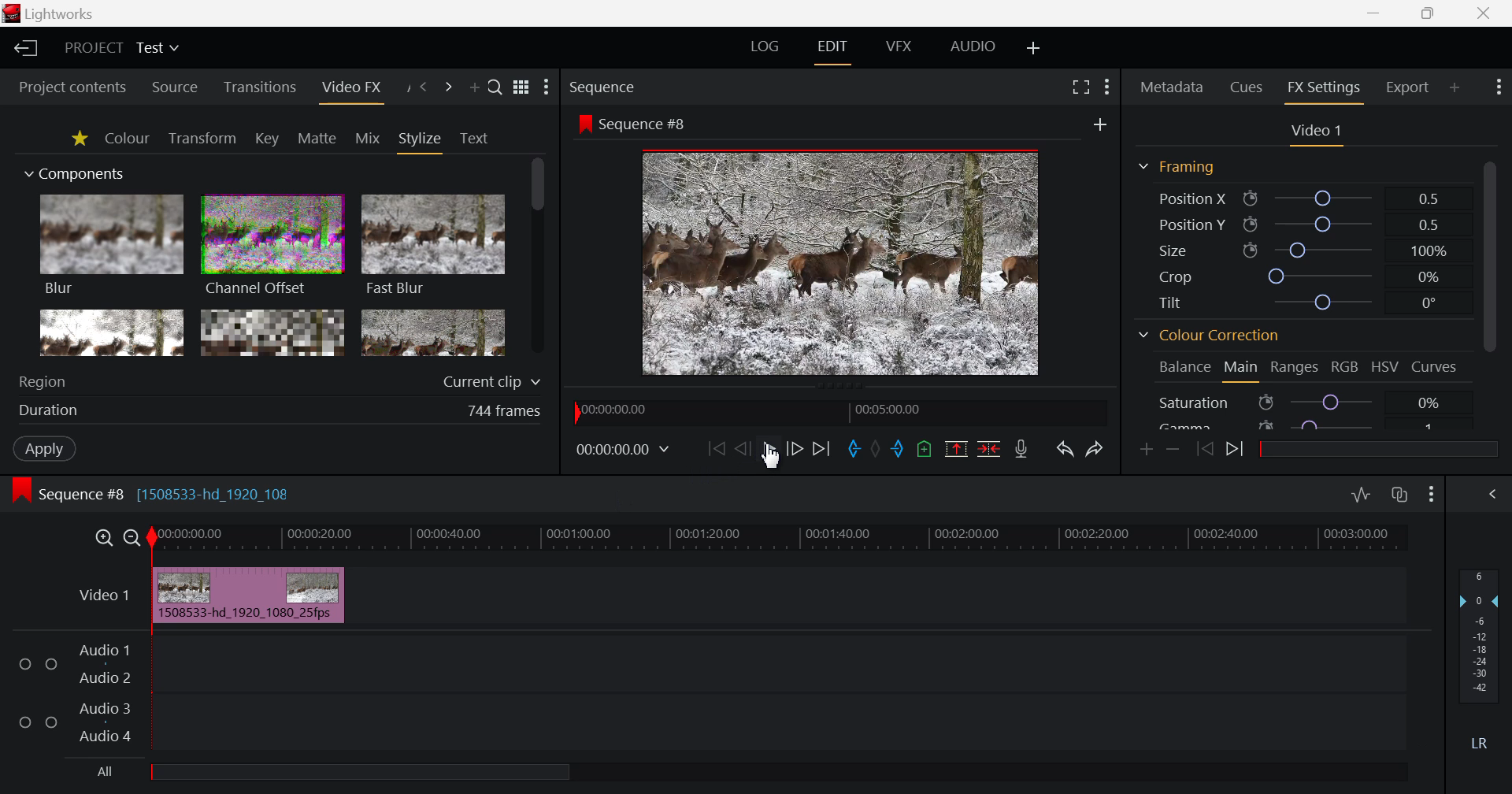  I want to click on cursor, so click(773, 462).